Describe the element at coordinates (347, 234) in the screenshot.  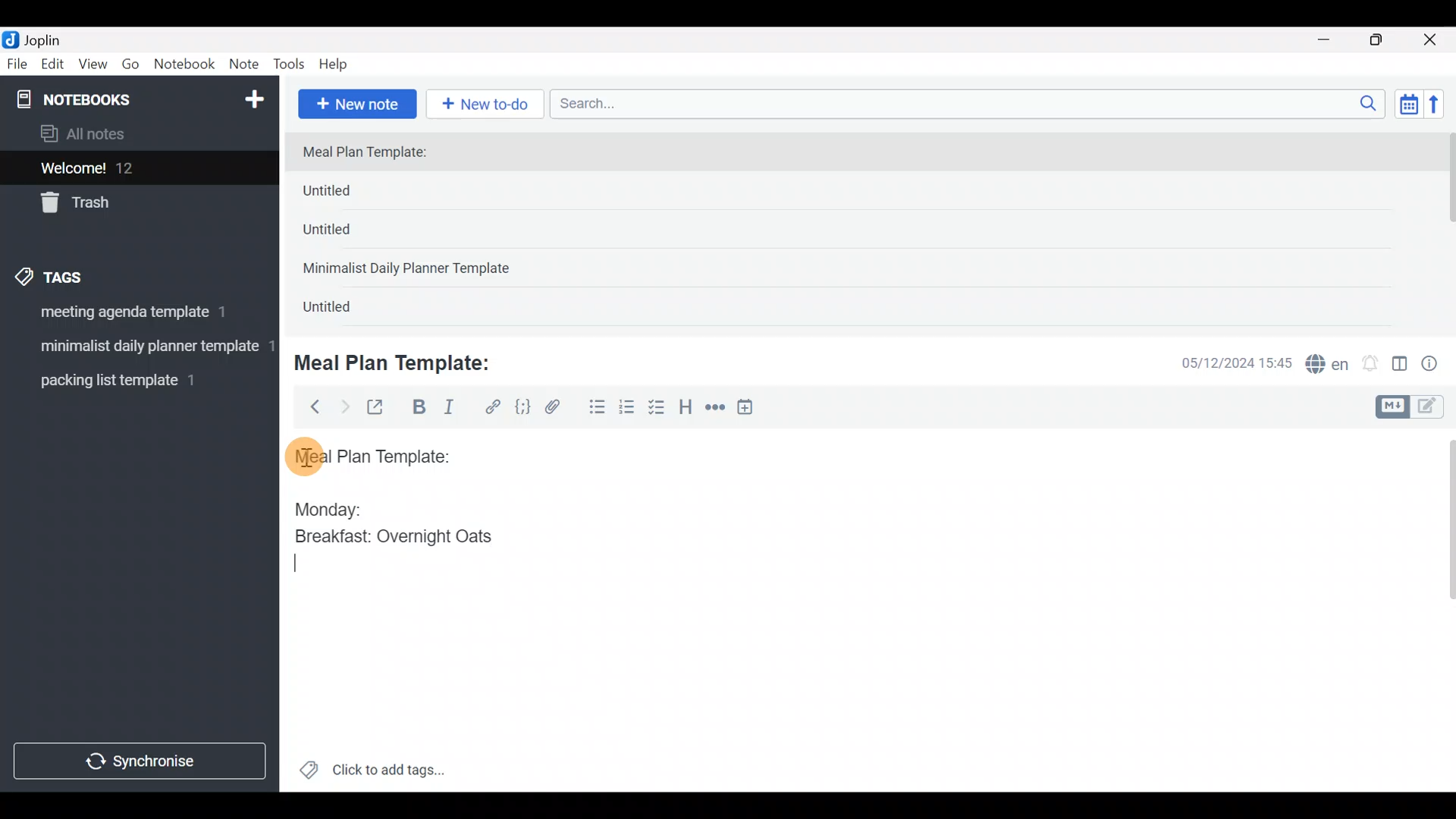
I see `Untitled` at that location.